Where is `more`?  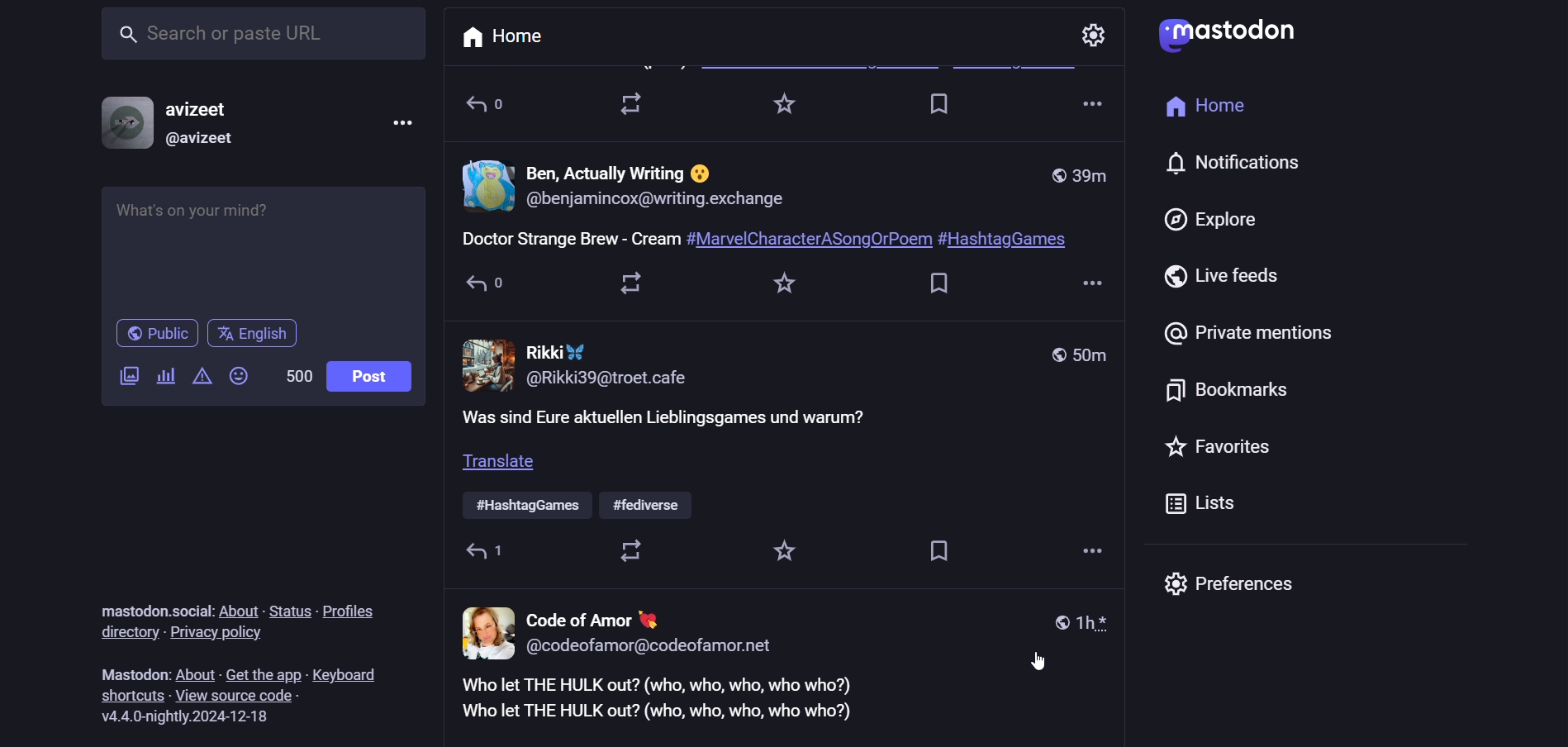
more is located at coordinates (1096, 105).